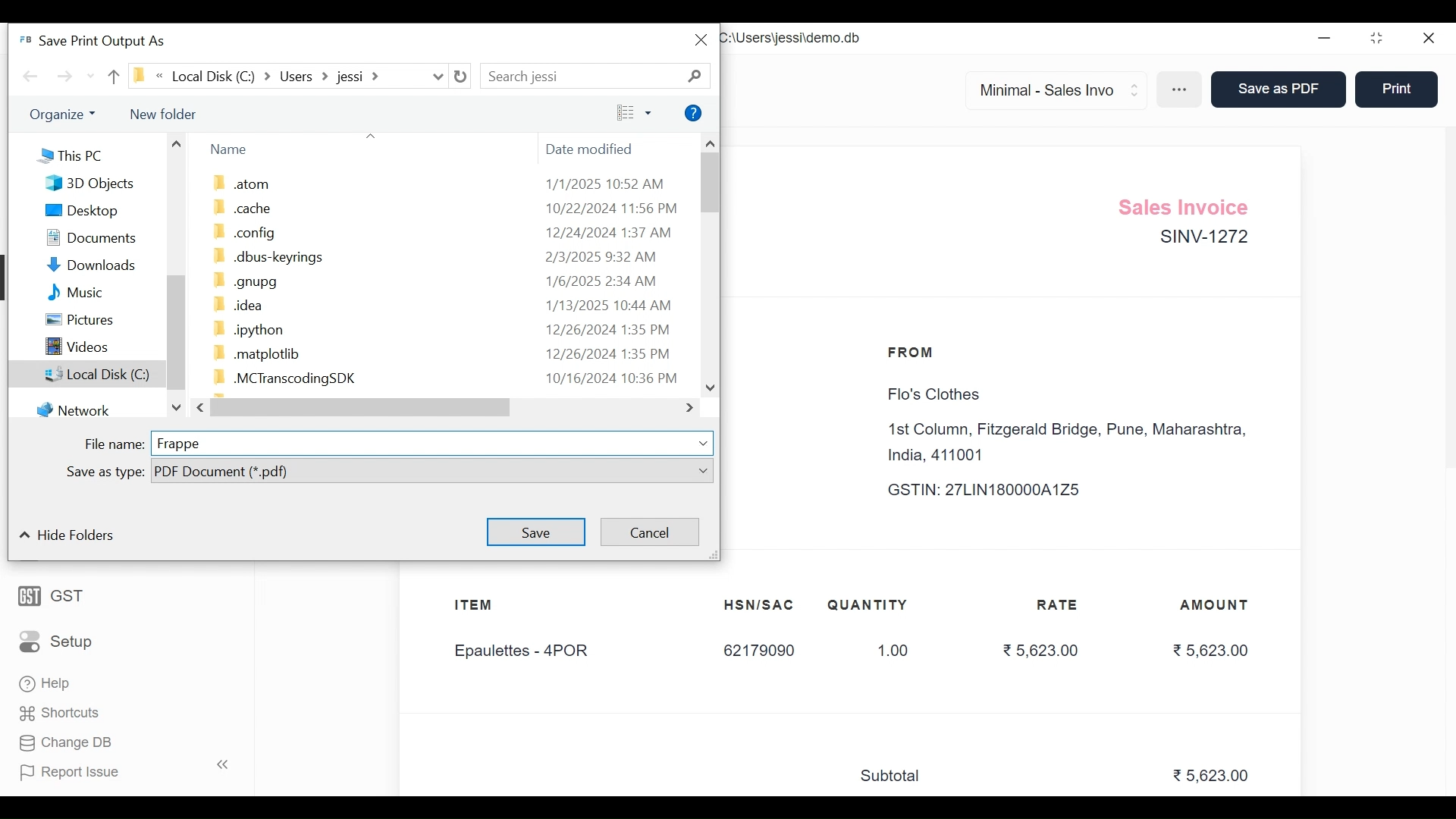 This screenshot has width=1456, height=819. Describe the element at coordinates (603, 256) in the screenshot. I see `2/3/2025 9:32 AM` at that location.